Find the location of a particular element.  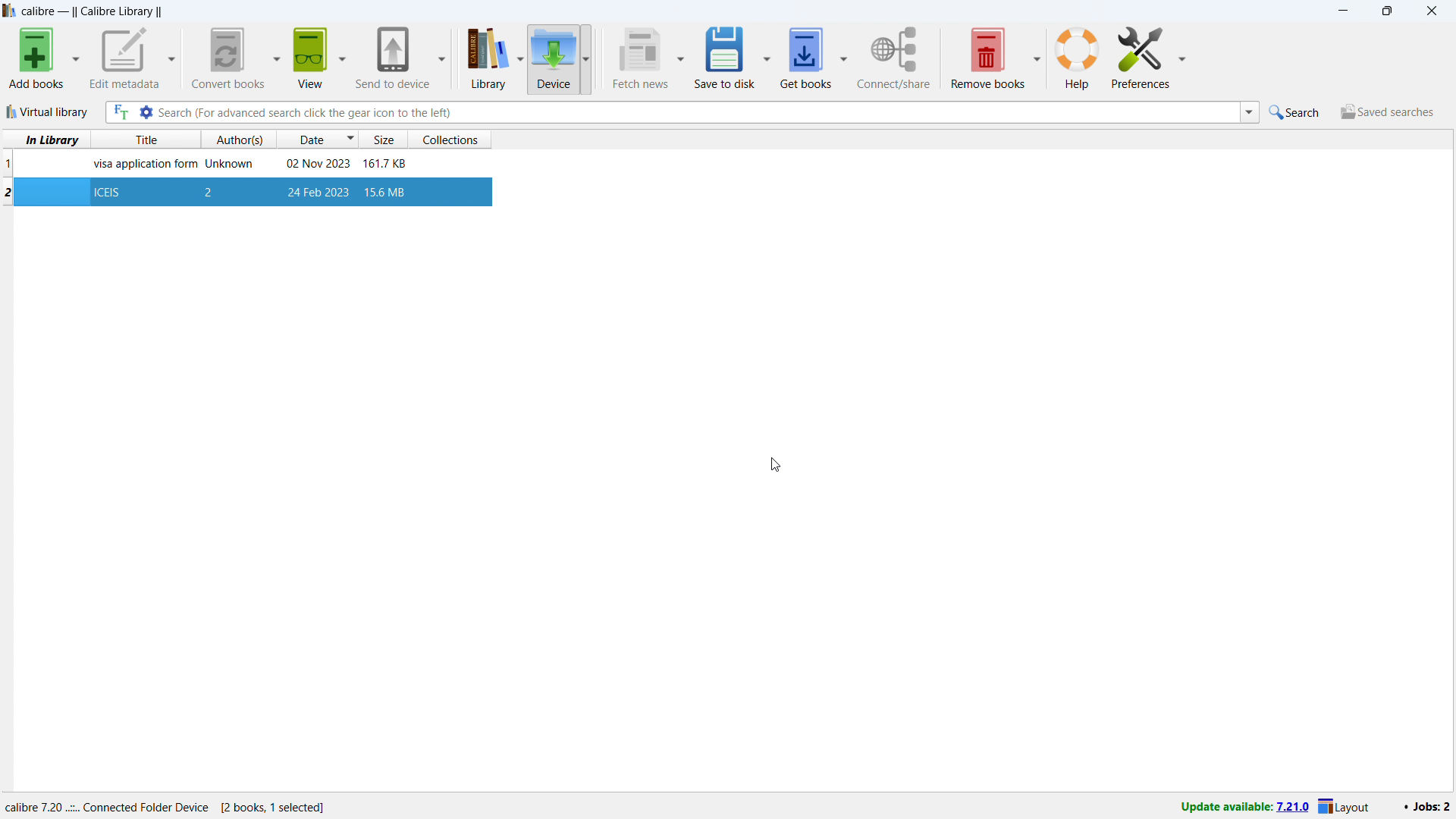

connect/share is located at coordinates (894, 58).